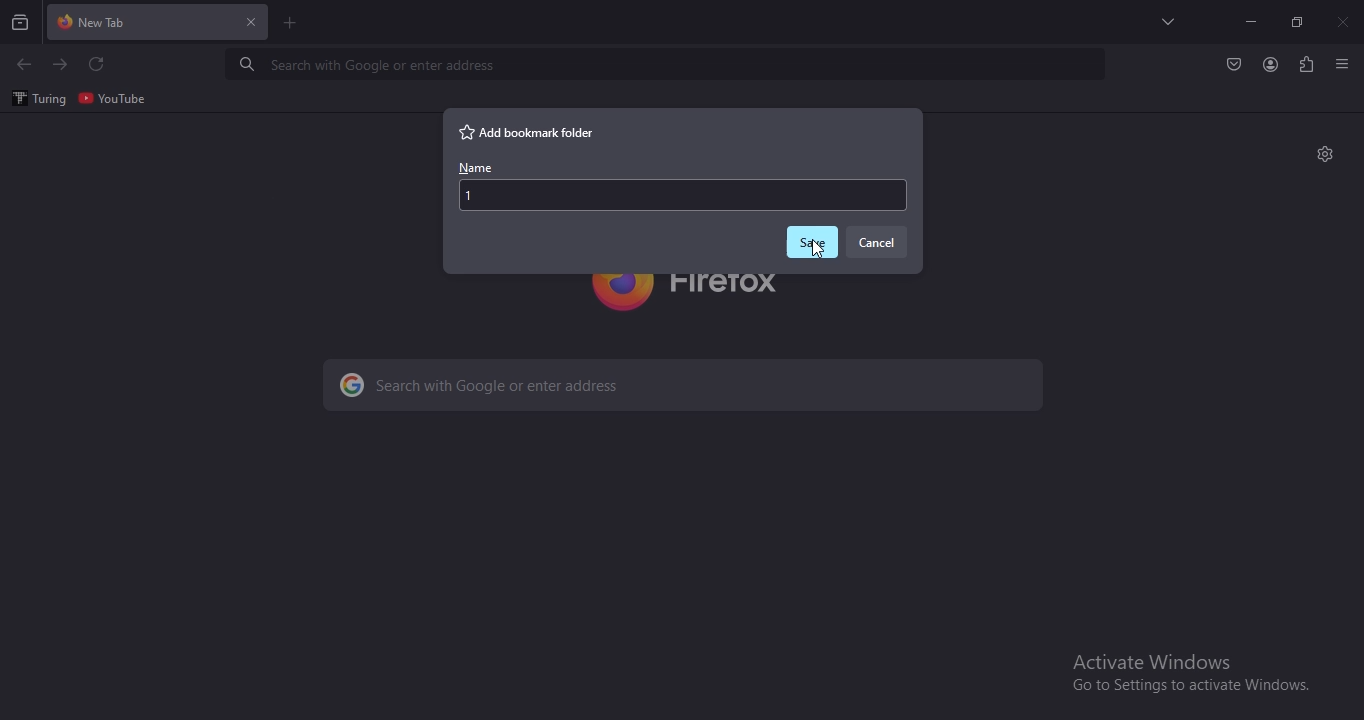 This screenshot has width=1364, height=720. What do you see at coordinates (1251, 22) in the screenshot?
I see `minimize` at bounding box center [1251, 22].